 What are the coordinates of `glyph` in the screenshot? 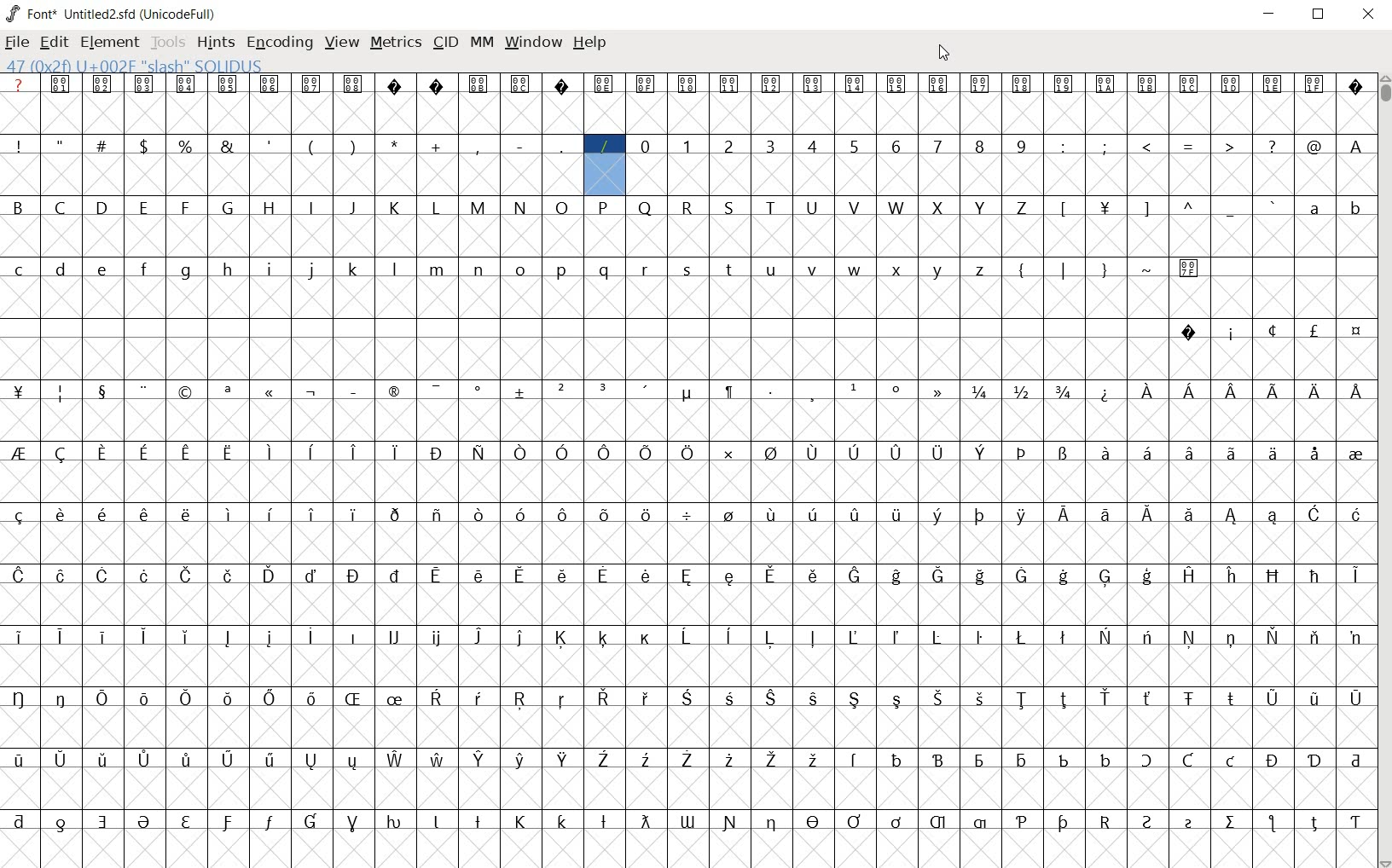 It's located at (1314, 824).